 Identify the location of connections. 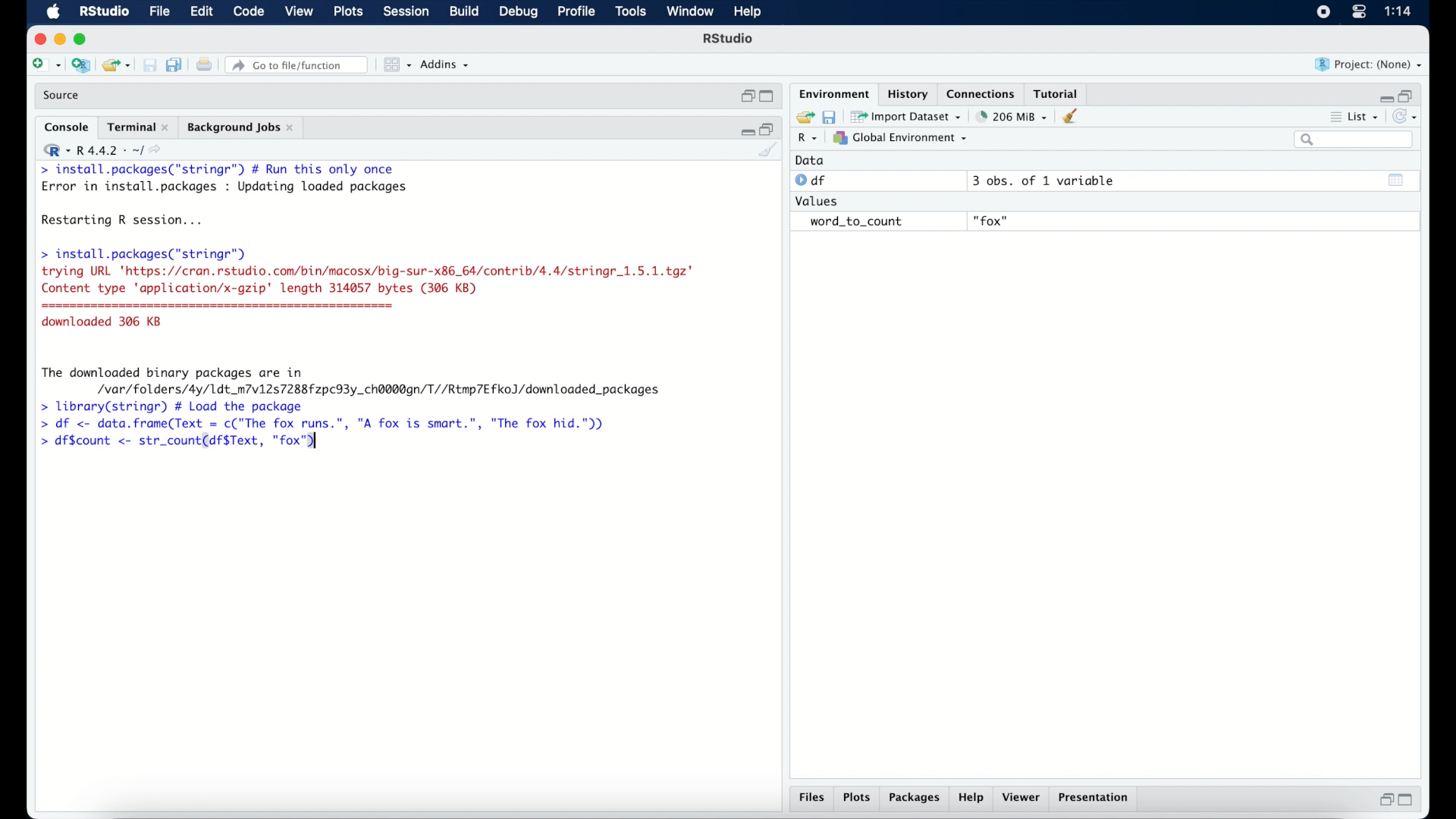
(983, 93).